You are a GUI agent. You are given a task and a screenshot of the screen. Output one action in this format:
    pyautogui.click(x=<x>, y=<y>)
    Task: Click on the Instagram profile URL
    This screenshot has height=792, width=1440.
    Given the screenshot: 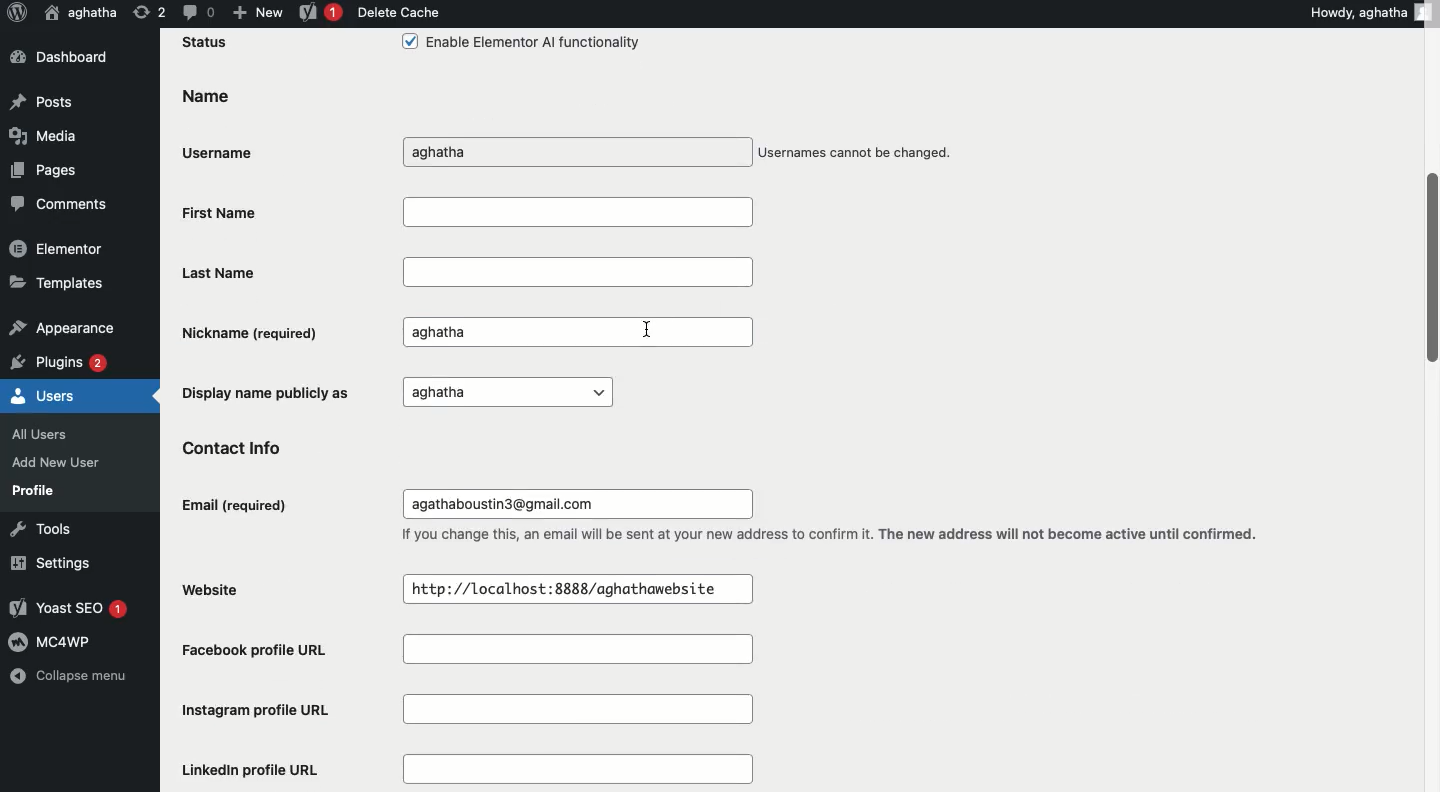 What is the action you would take?
    pyautogui.click(x=467, y=708)
    